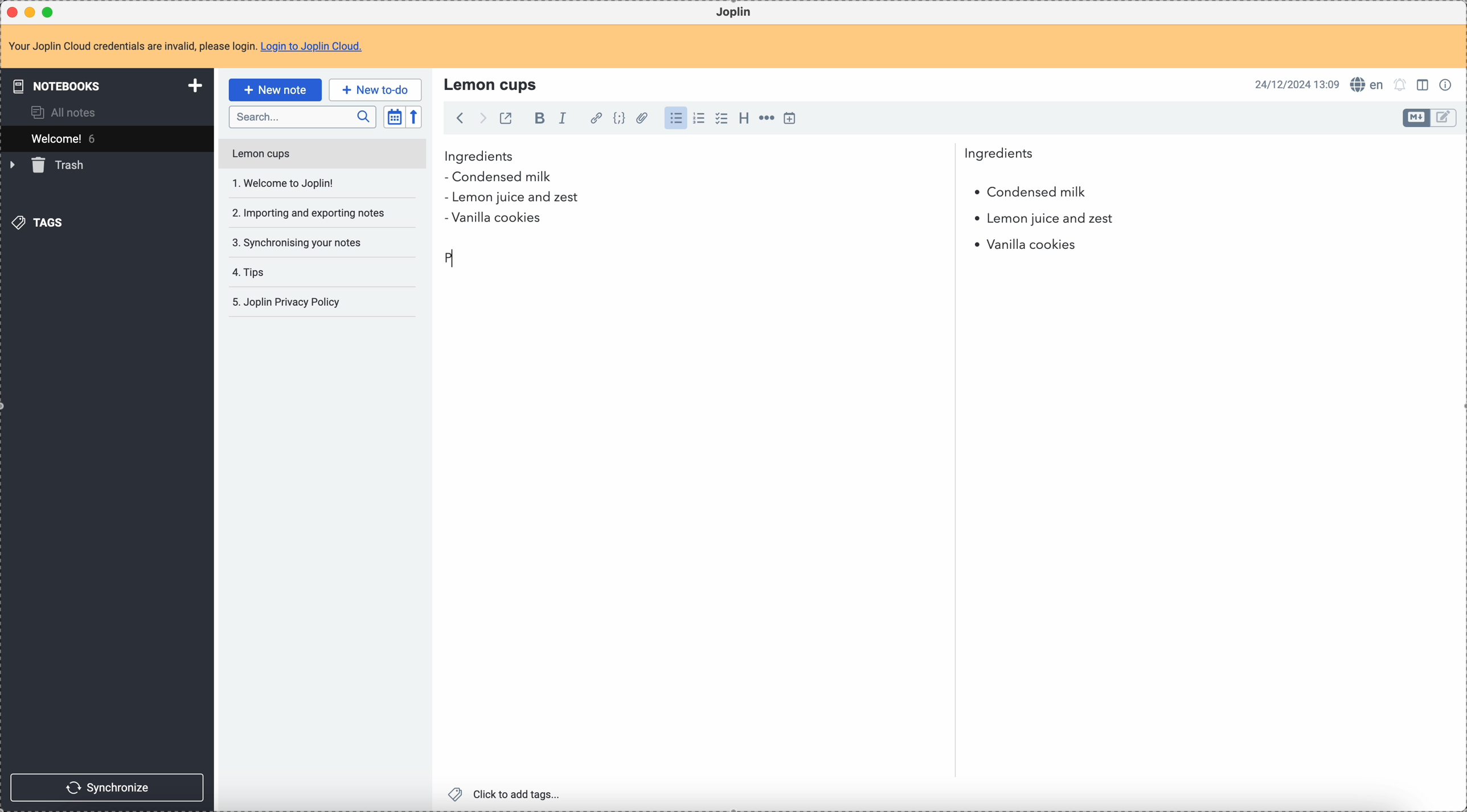  What do you see at coordinates (49, 165) in the screenshot?
I see `trash` at bounding box center [49, 165].